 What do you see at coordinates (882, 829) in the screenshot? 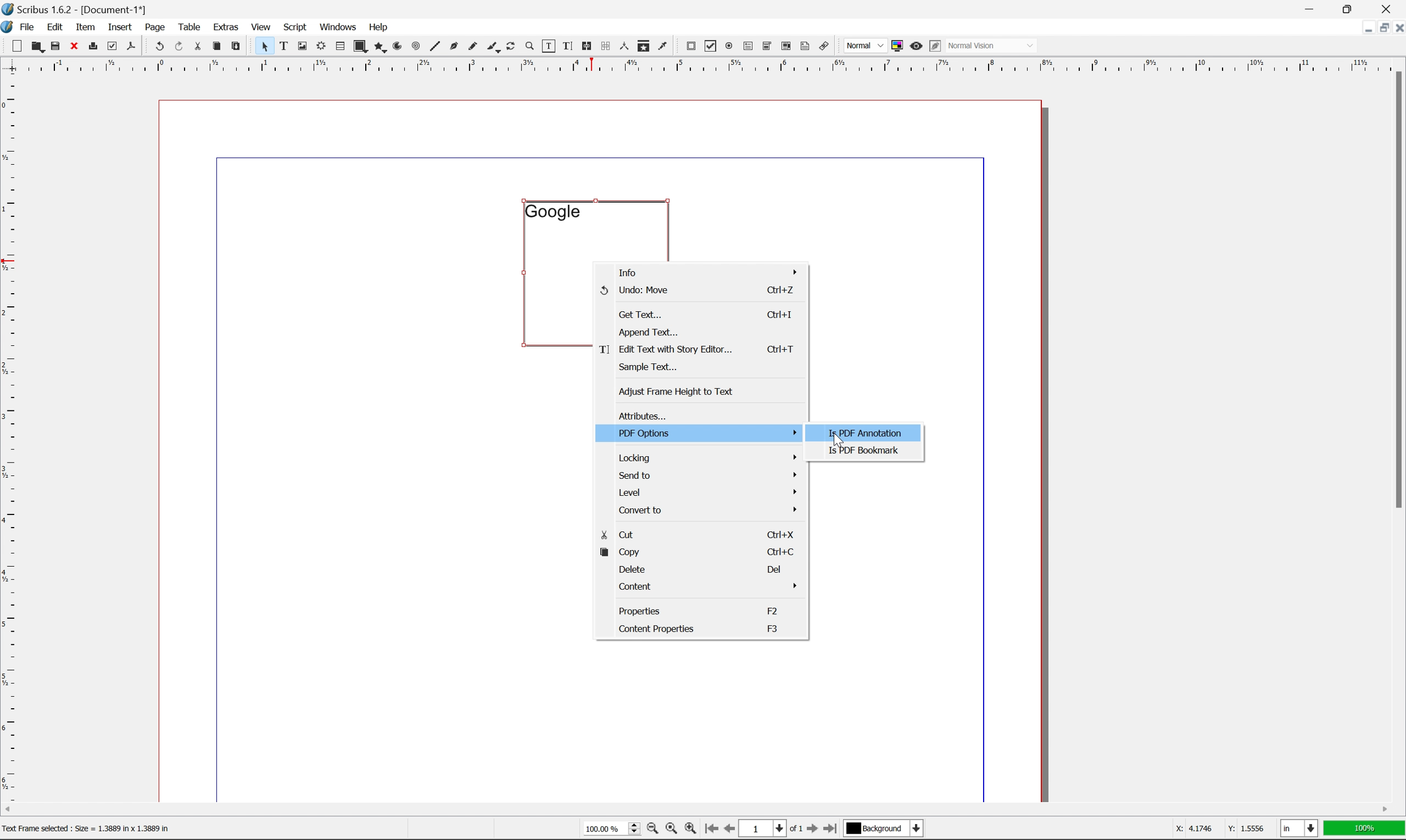
I see `select current layer` at bounding box center [882, 829].